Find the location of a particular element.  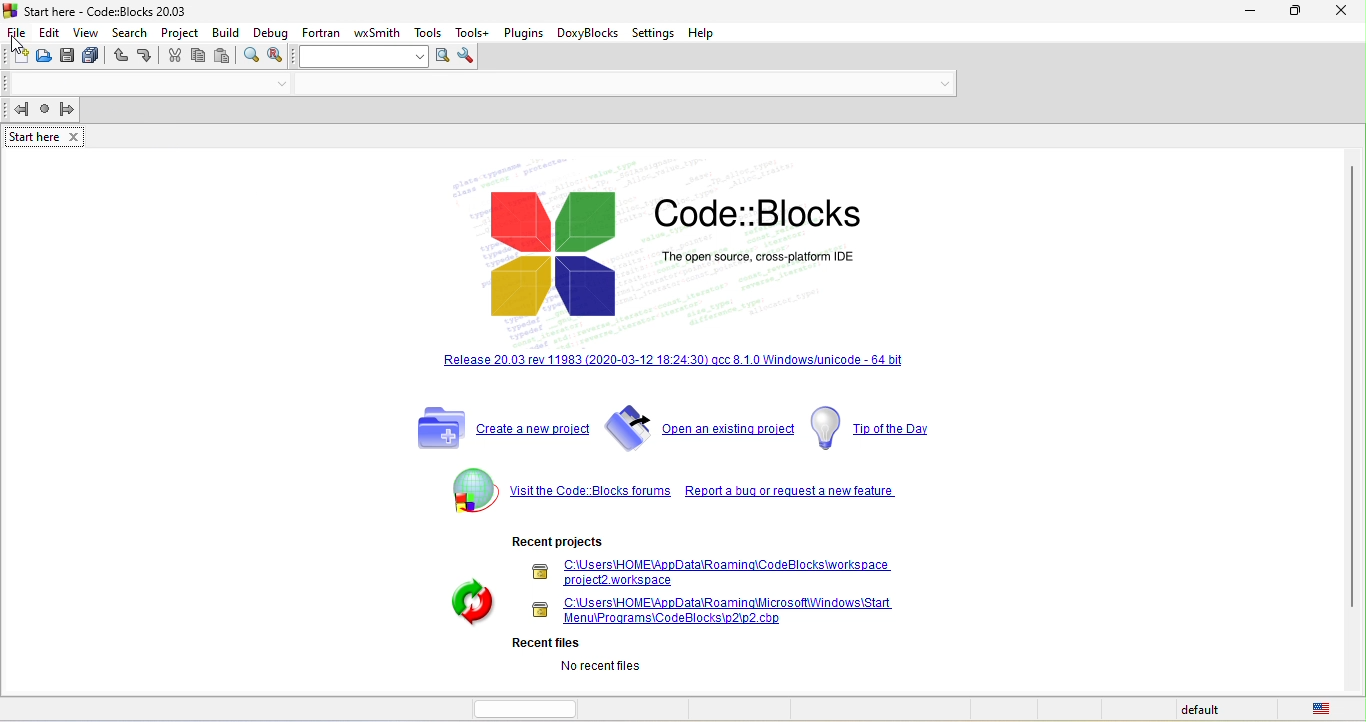

file is located at coordinates (17, 31).